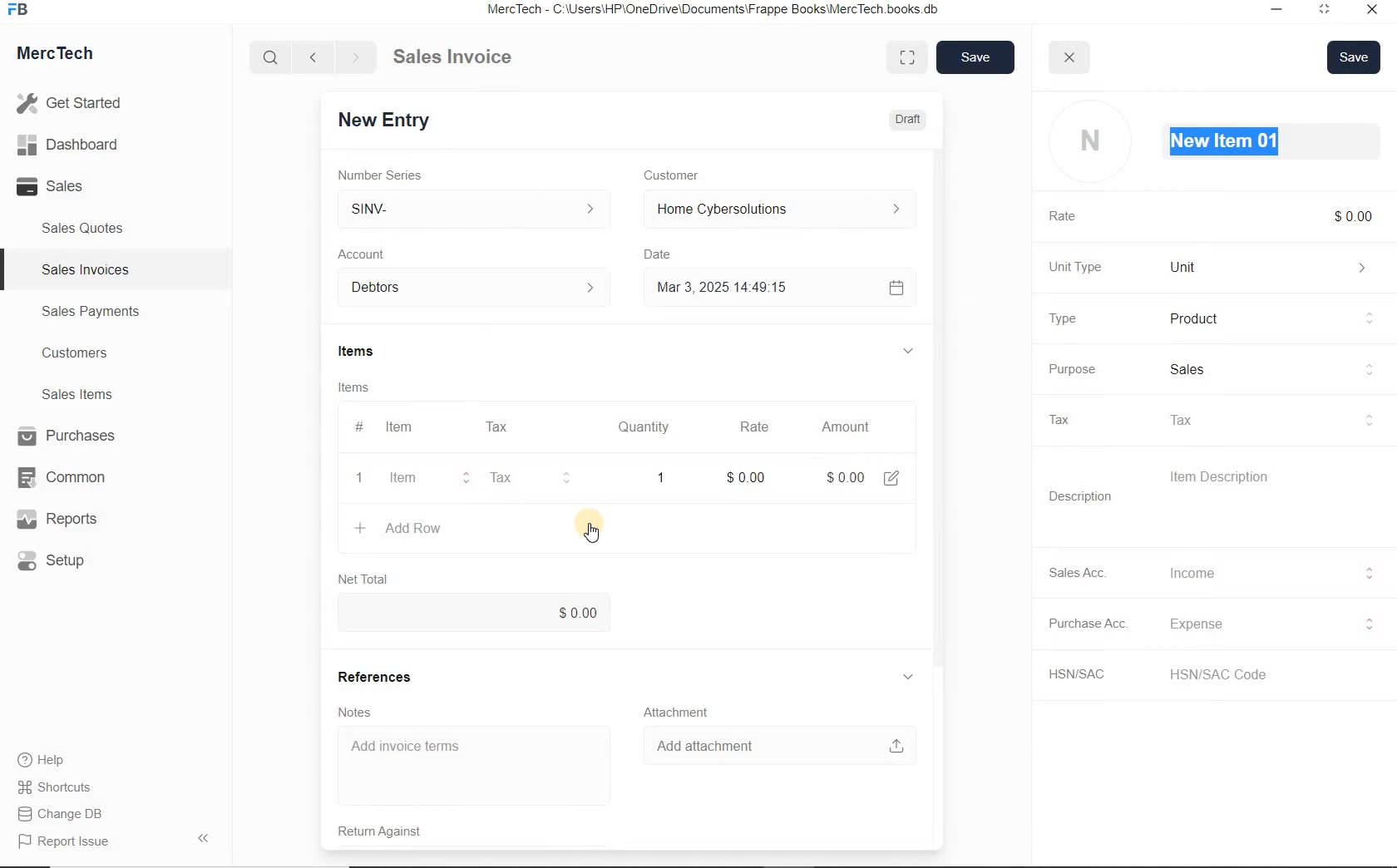 The width and height of the screenshot is (1397, 868). Describe the element at coordinates (1225, 141) in the screenshot. I see `item name: New item 01` at that location.